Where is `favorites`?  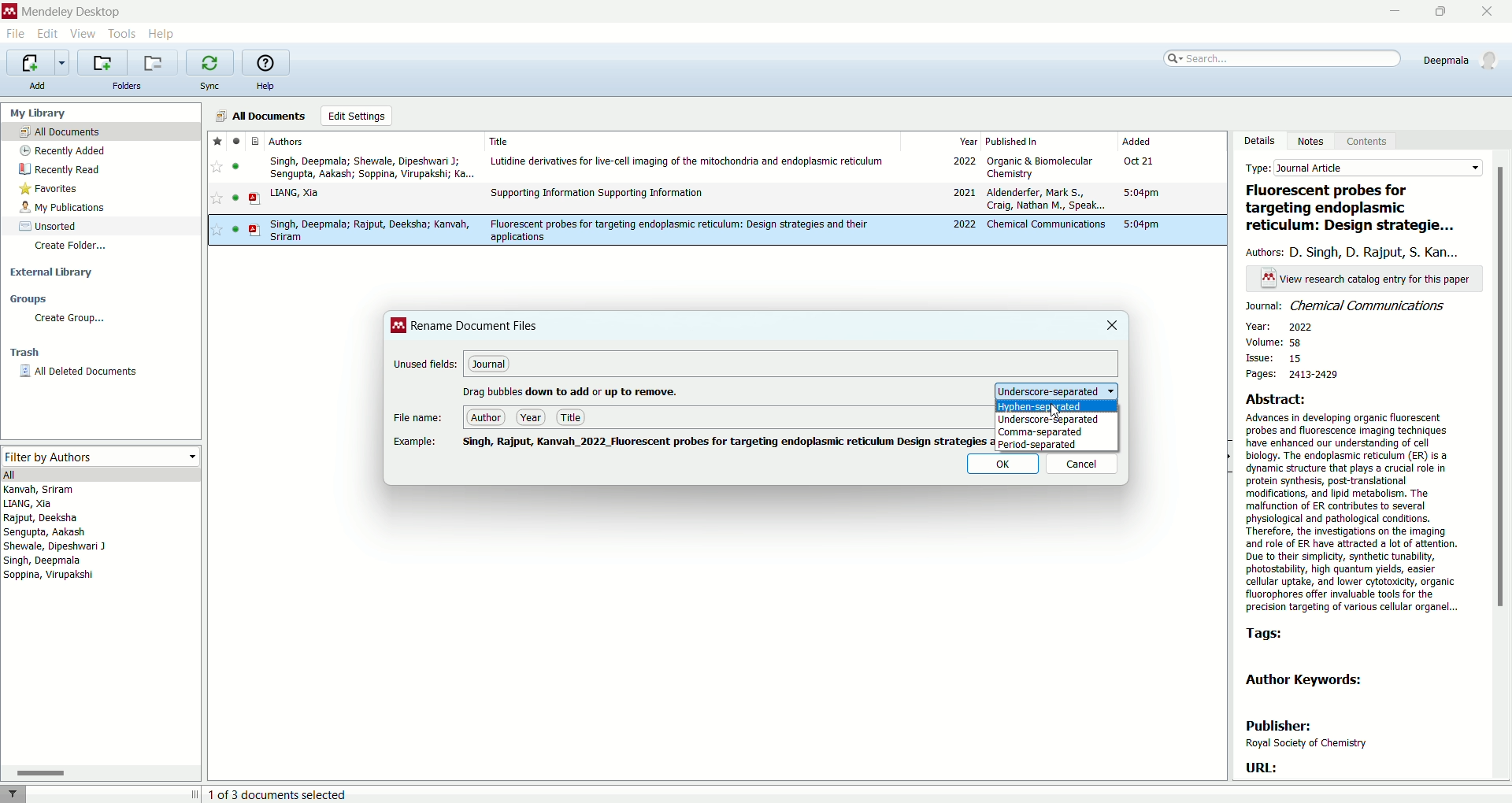
favorites is located at coordinates (52, 190).